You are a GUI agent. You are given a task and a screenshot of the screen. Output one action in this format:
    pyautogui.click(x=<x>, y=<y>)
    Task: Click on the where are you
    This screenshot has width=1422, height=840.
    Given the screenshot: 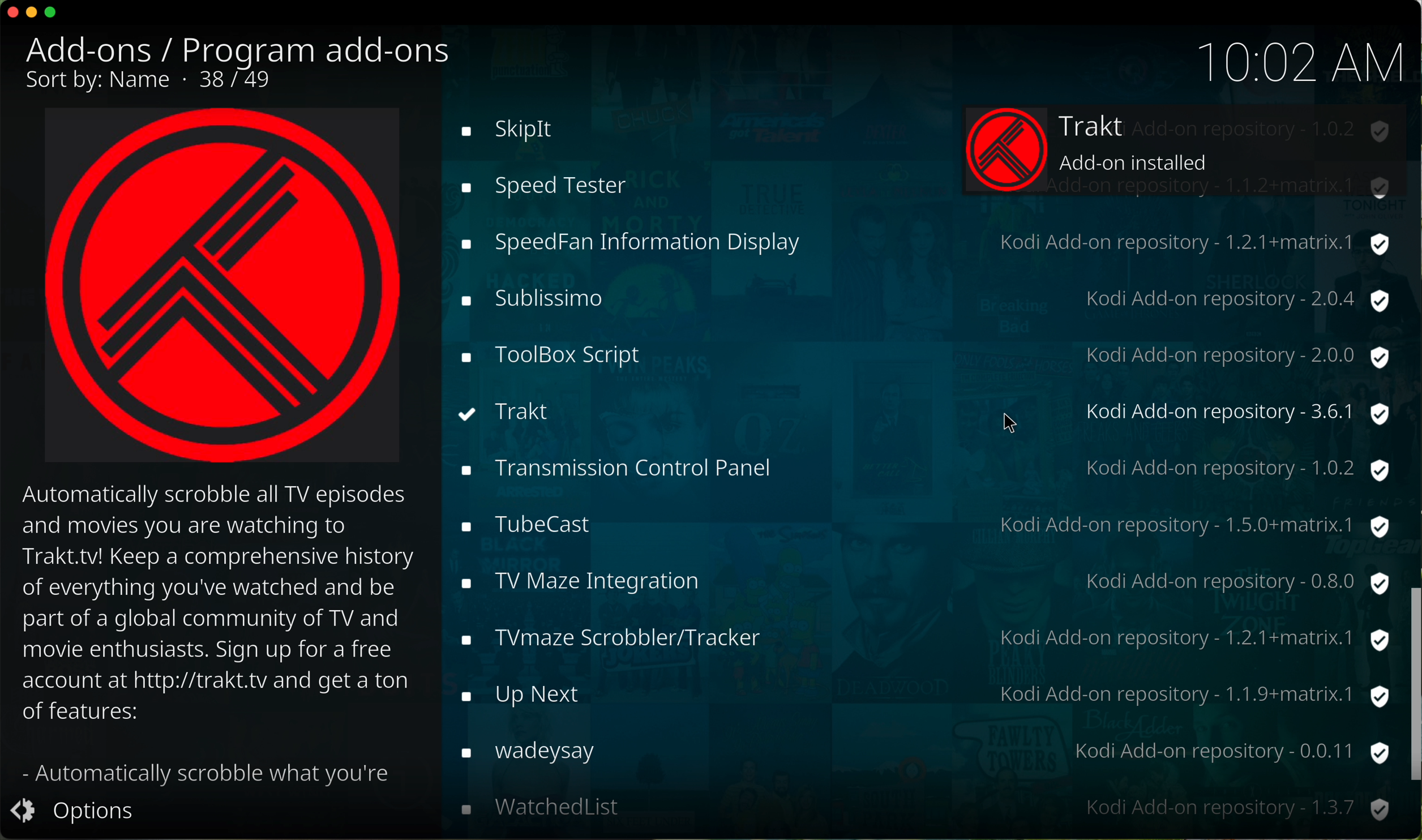 What is the action you would take?
    pyautogui.click(x=927, y=693)
    